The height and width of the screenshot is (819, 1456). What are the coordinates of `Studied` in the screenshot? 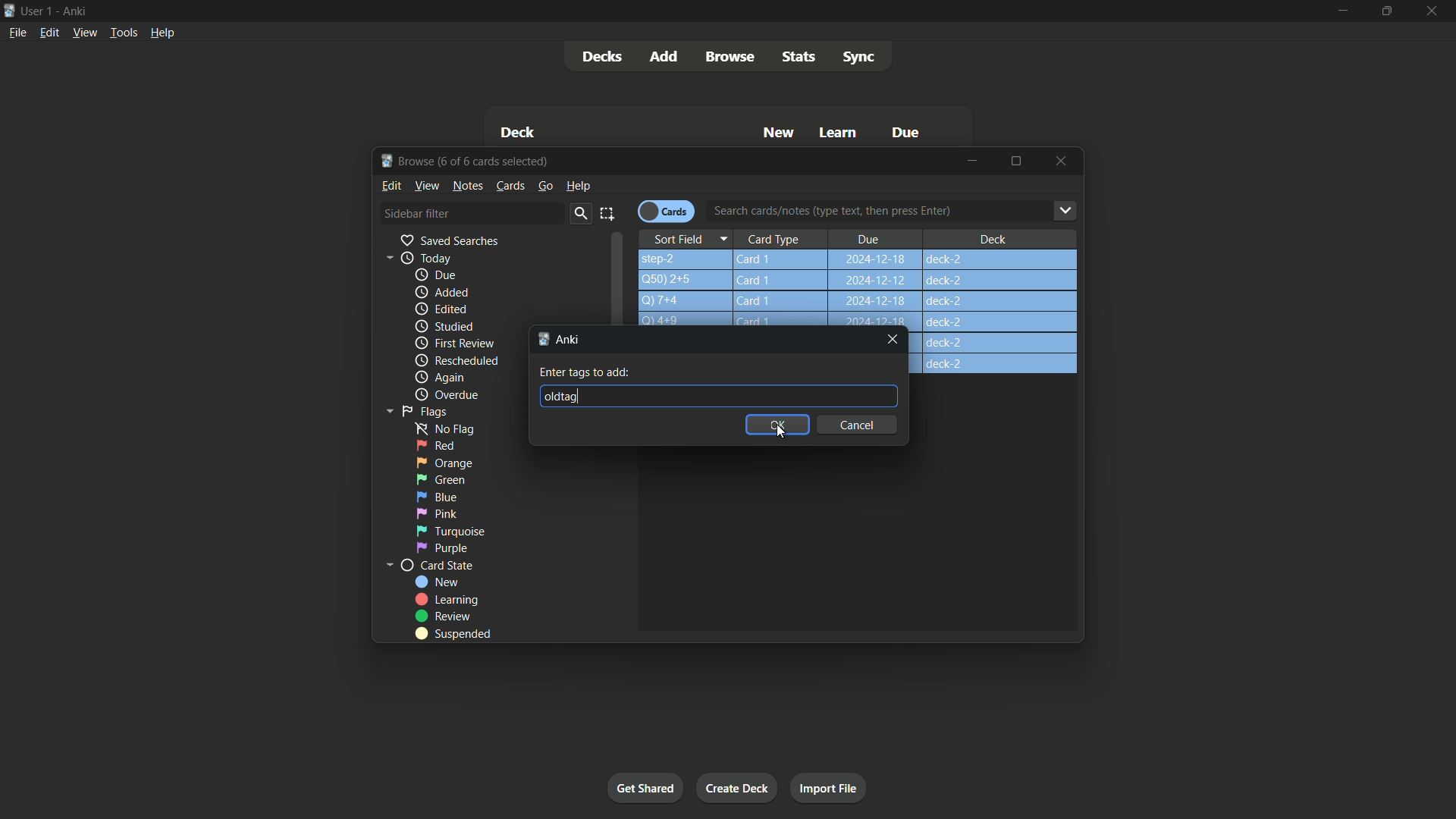 It's located at (444, 327).